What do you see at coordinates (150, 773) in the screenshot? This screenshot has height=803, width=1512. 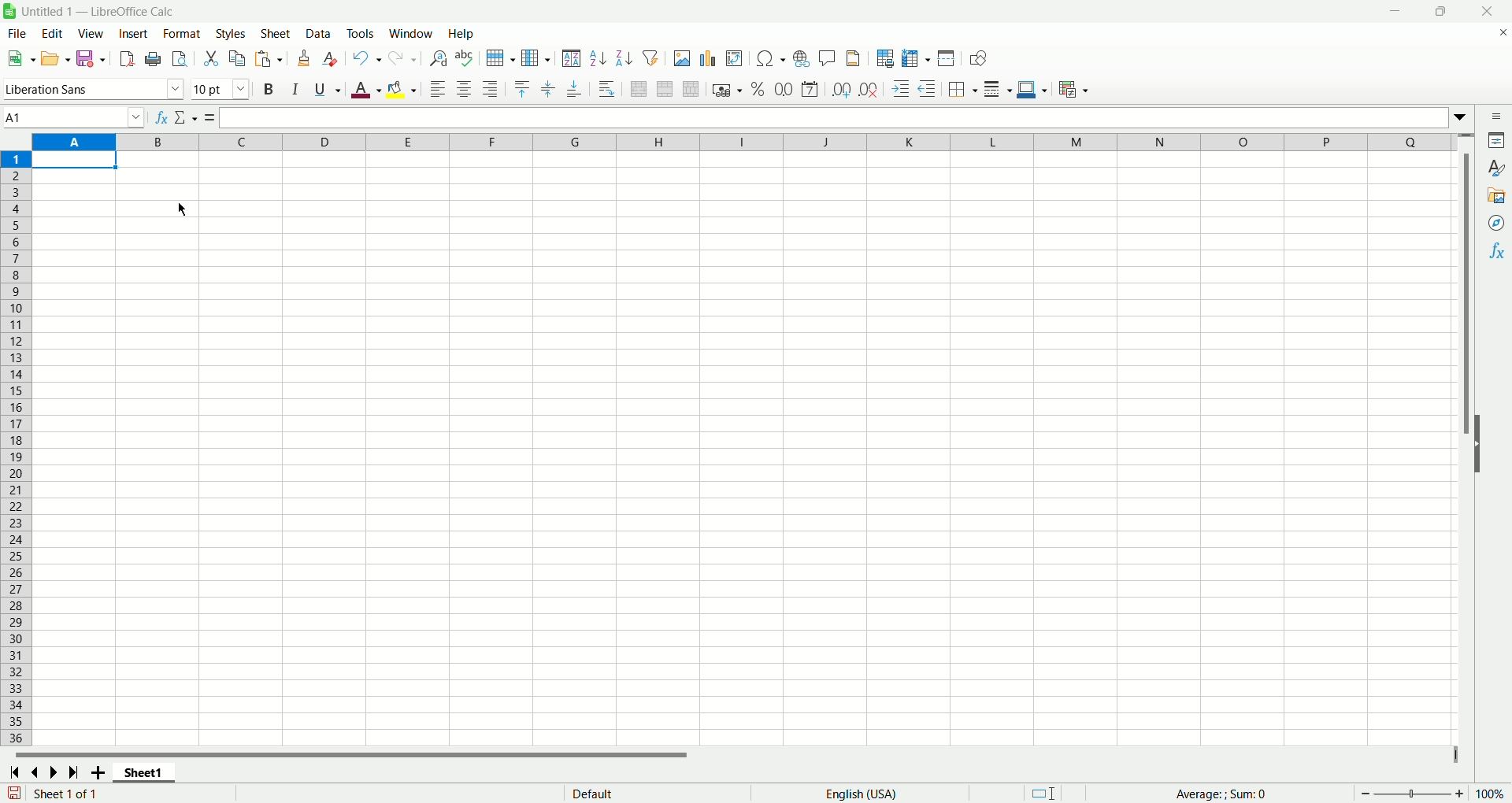 I see `sheet name` at bounding box center [150, 773].